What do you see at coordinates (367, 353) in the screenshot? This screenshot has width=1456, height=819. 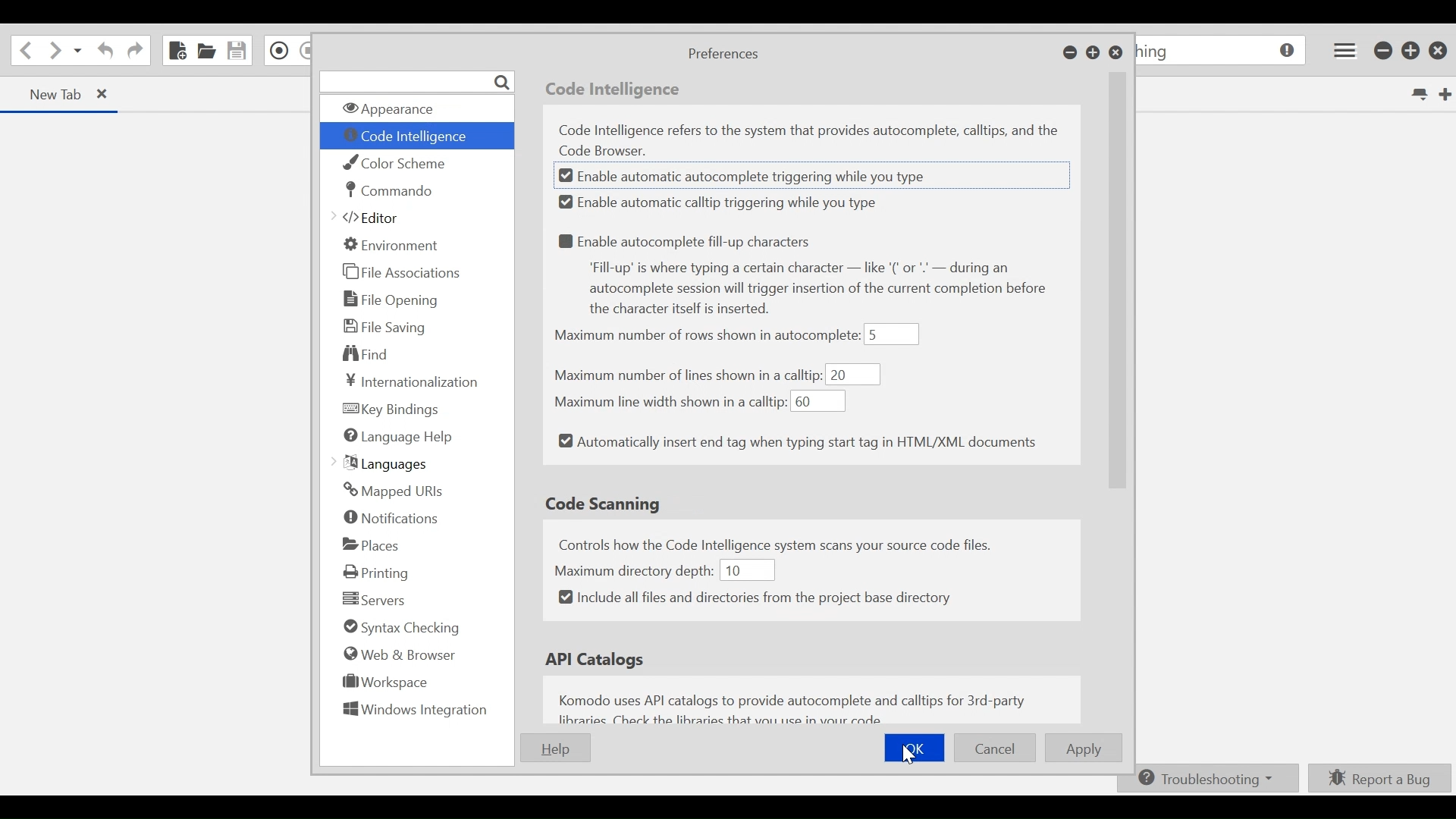 I see `Find` at bounding box center [367, 353].